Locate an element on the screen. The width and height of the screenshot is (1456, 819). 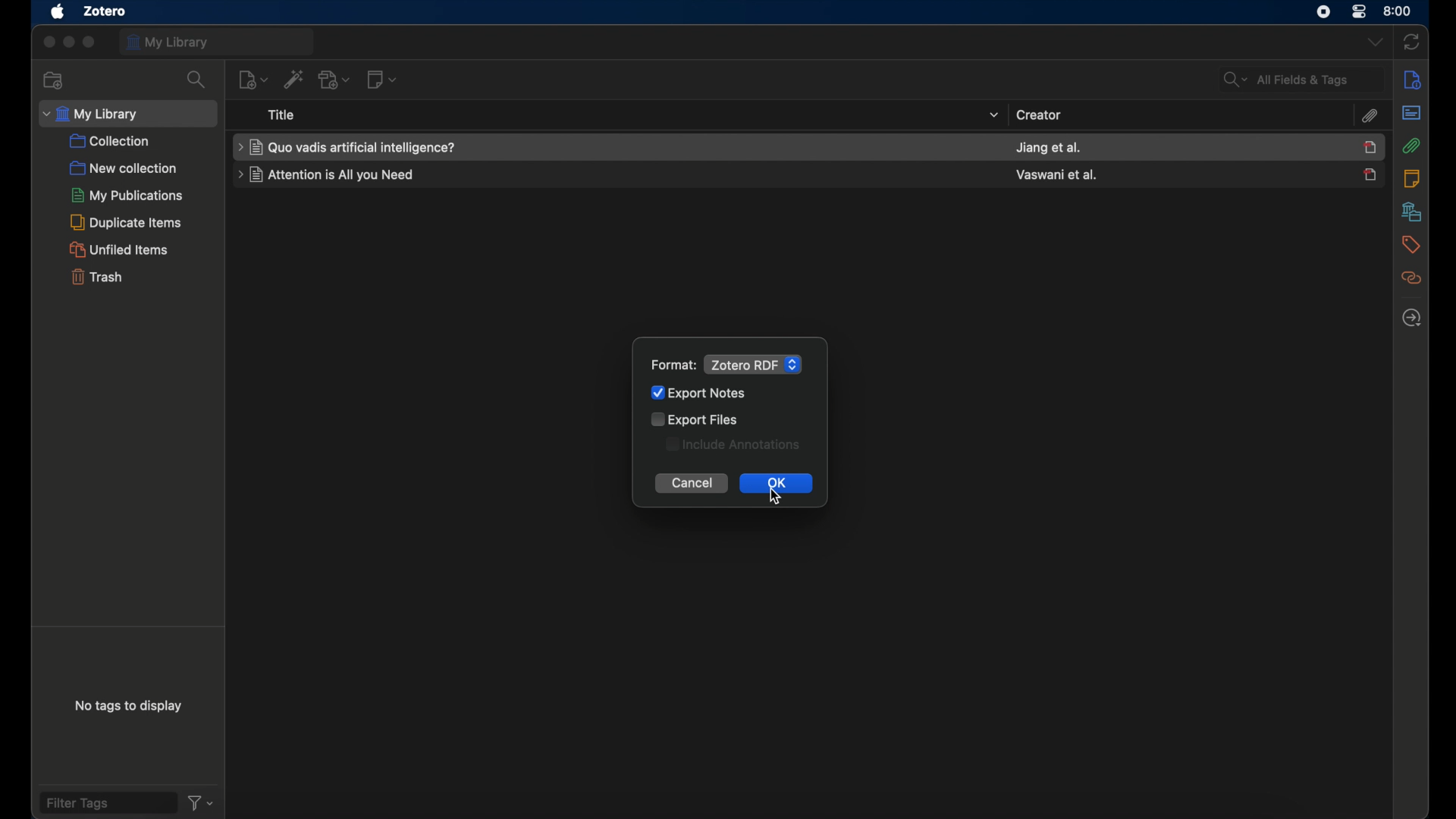
item unselected is located at coordinates (1370, 174).